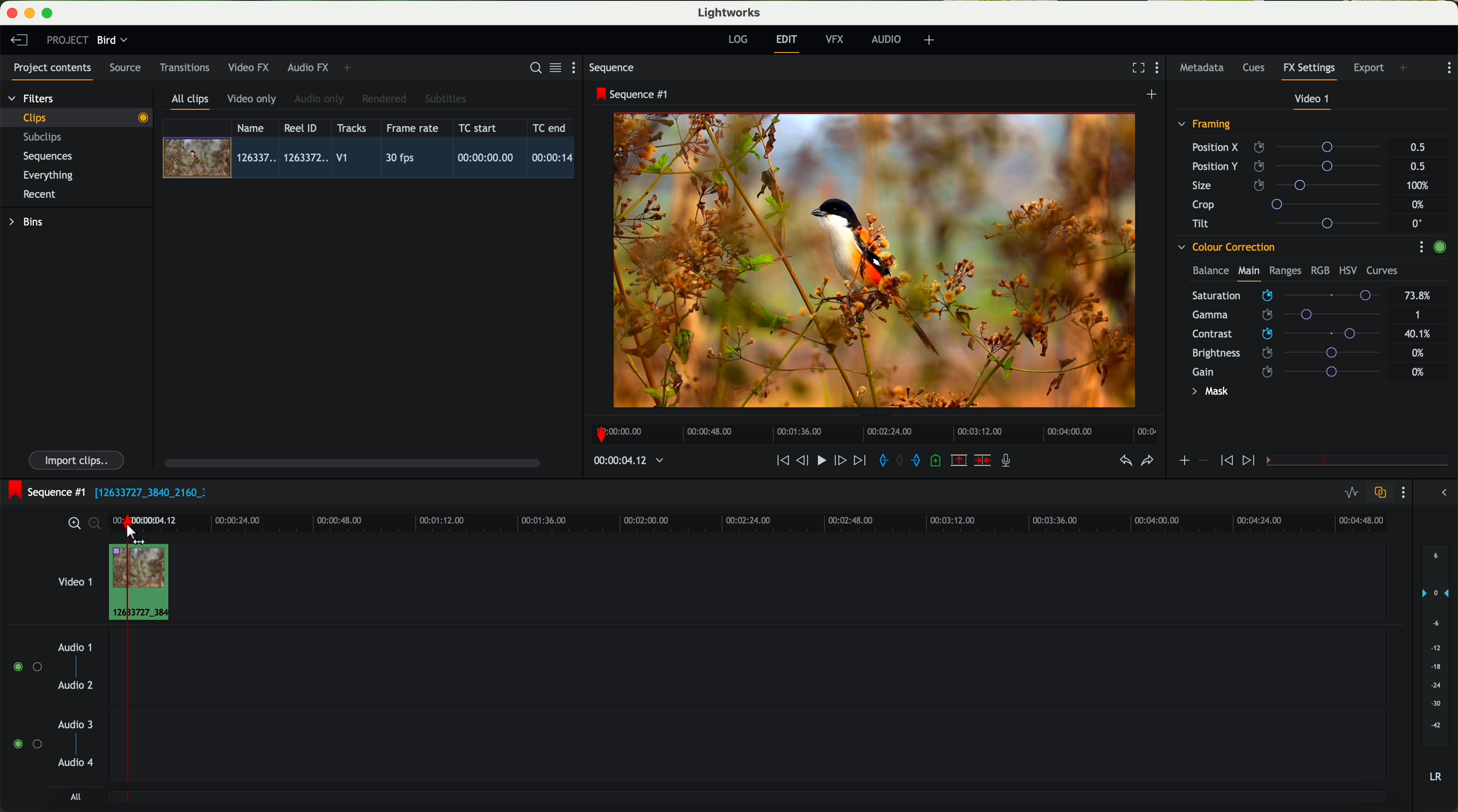 Image resolution: width=1458 pixels, height=812 pixels. Describe the element at coordinates (1290, 147) in the screenshot. I see `position X` at that location.